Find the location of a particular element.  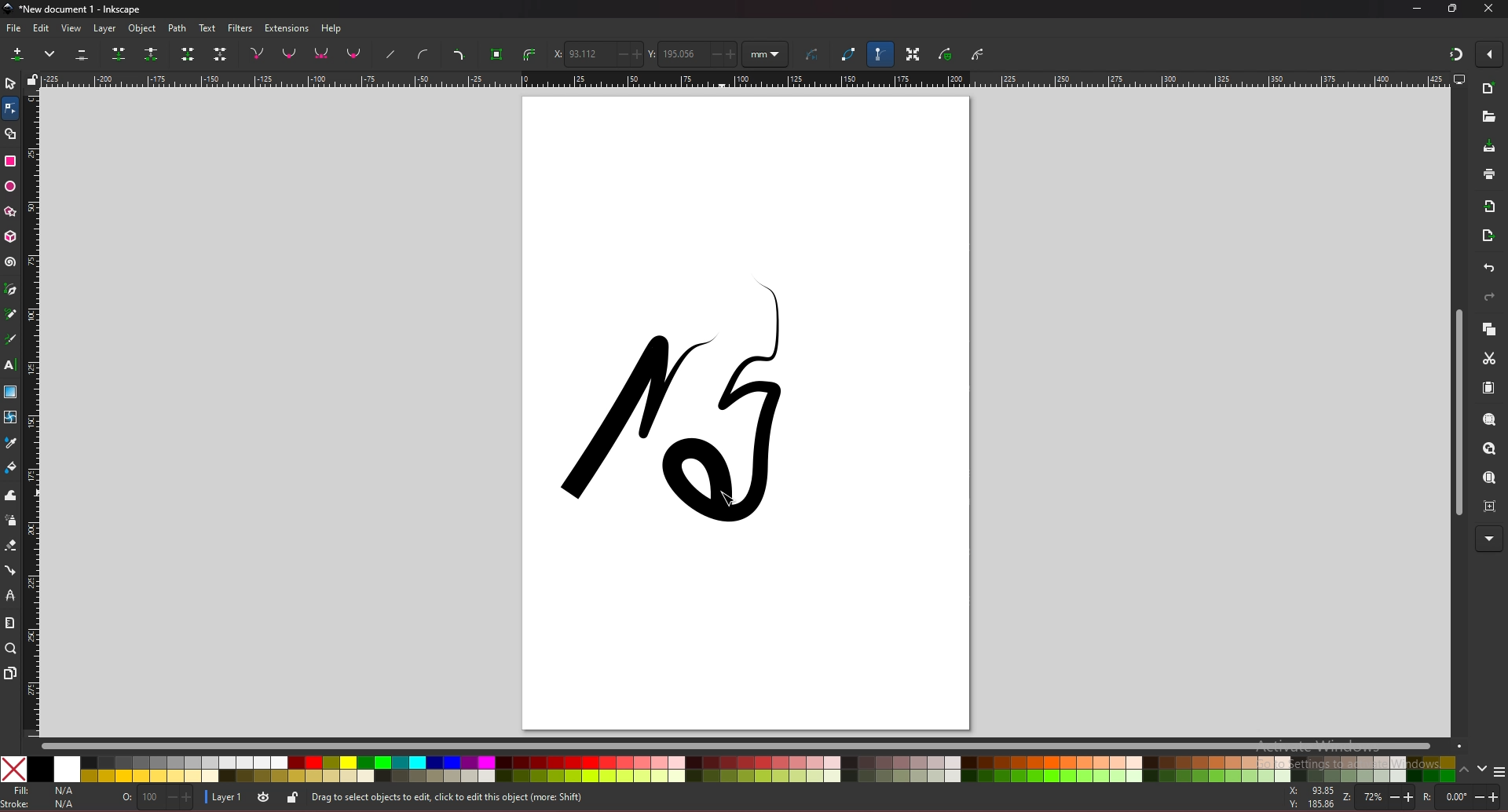

zoom centre page is located at coordinates (1490, 506).